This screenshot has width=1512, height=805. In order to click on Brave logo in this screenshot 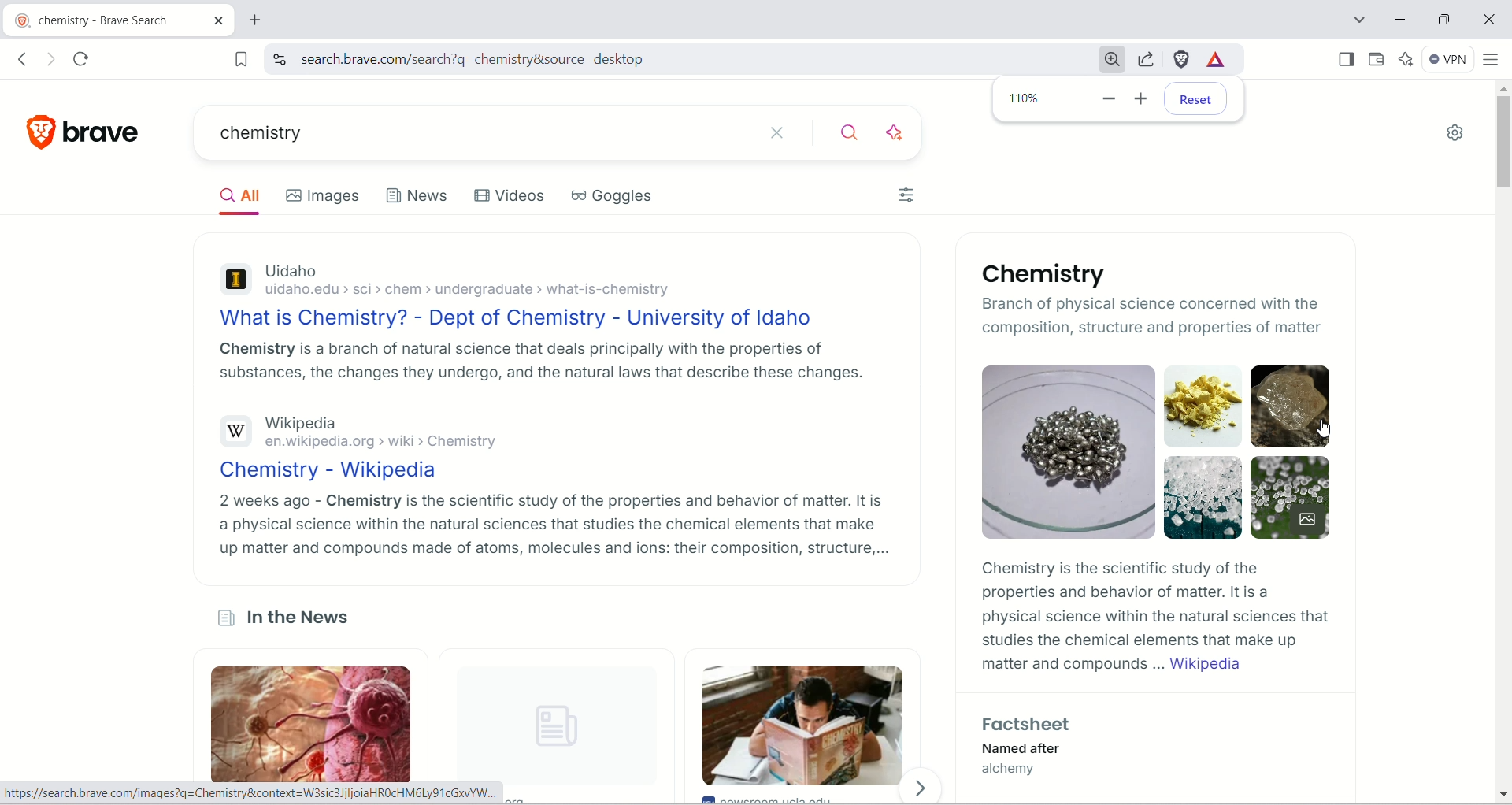, I will do `click(35, 129)`.